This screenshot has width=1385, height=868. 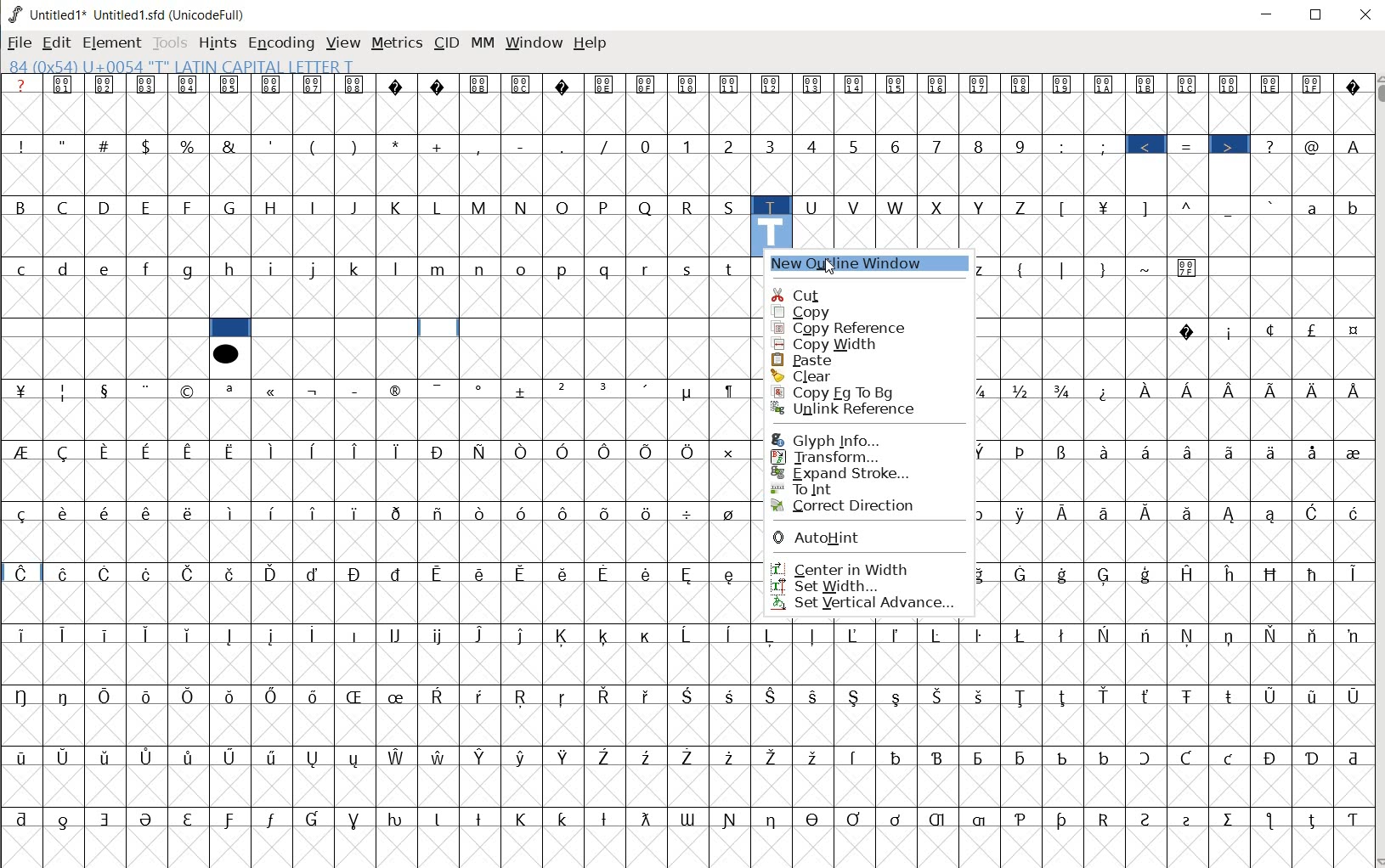 What do you see at coordinates (979, 145) in the screenshot?
I see `8` at bounding box center [979, 145].